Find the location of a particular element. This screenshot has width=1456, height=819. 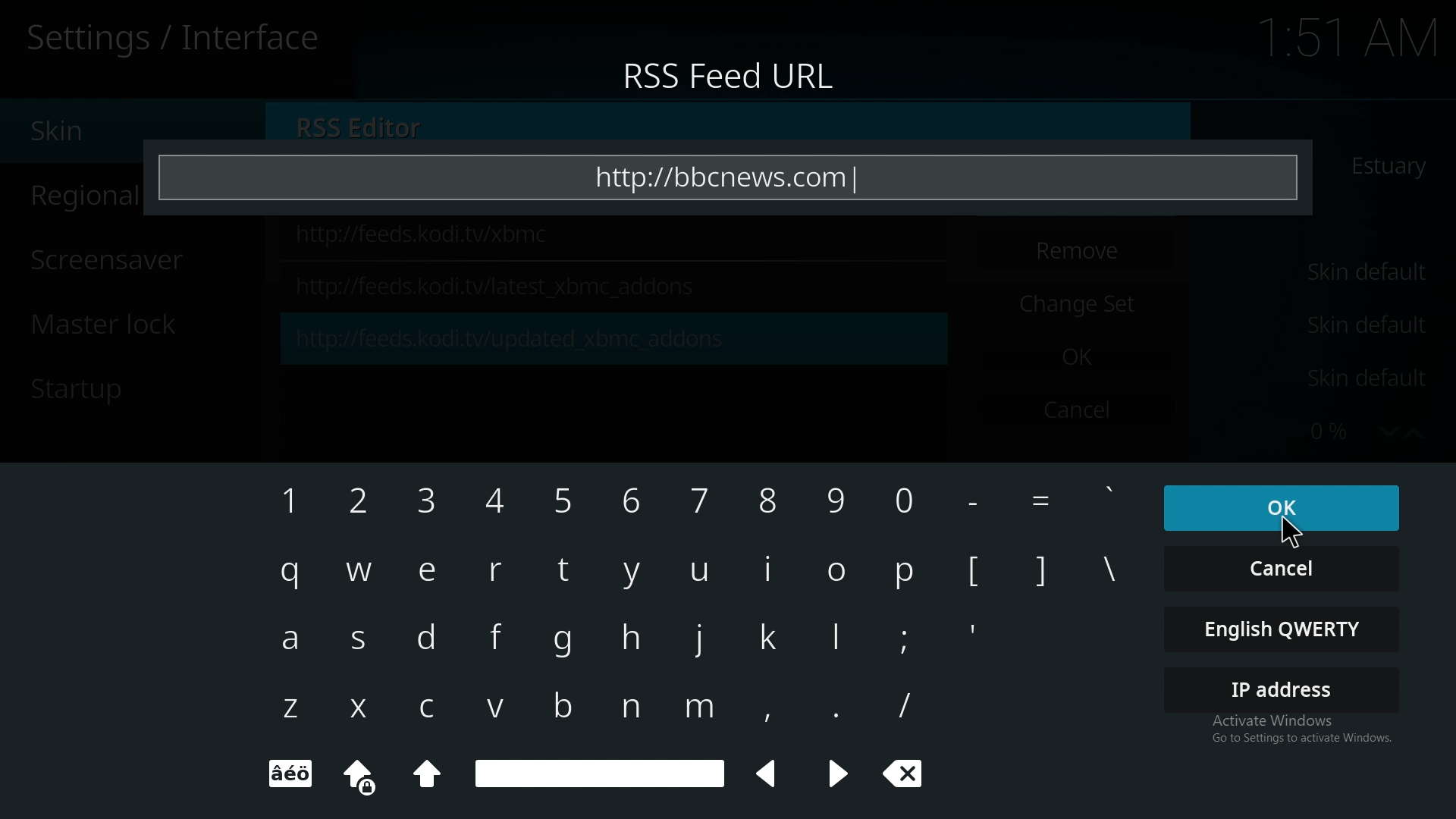

1 is located at coordinates (288, 507).